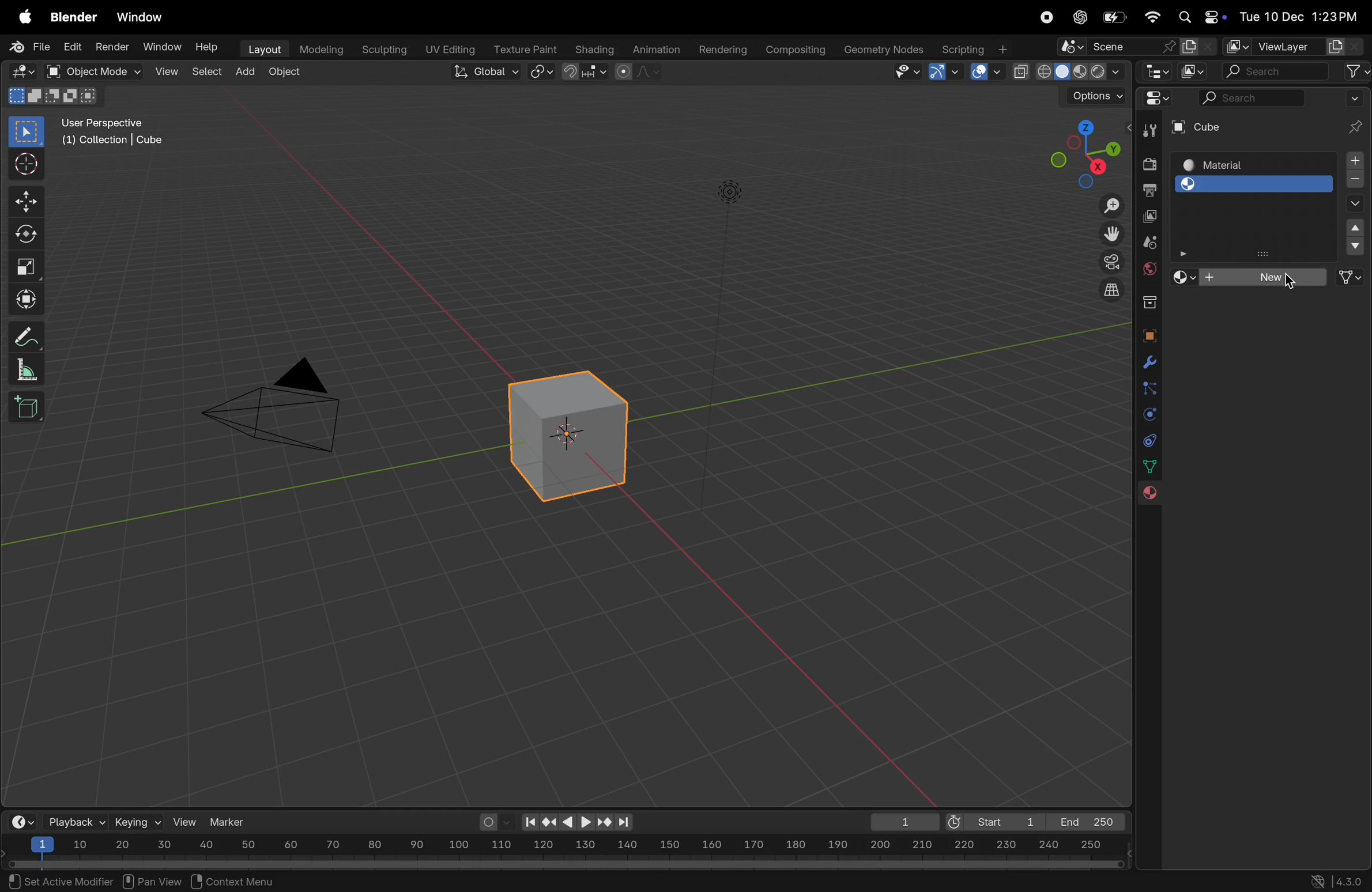 The image size is (1372, 892). What do you see at coordinates (985, 72) in the screenshot?
I see `show overlays` at bounding box center [985, 72].